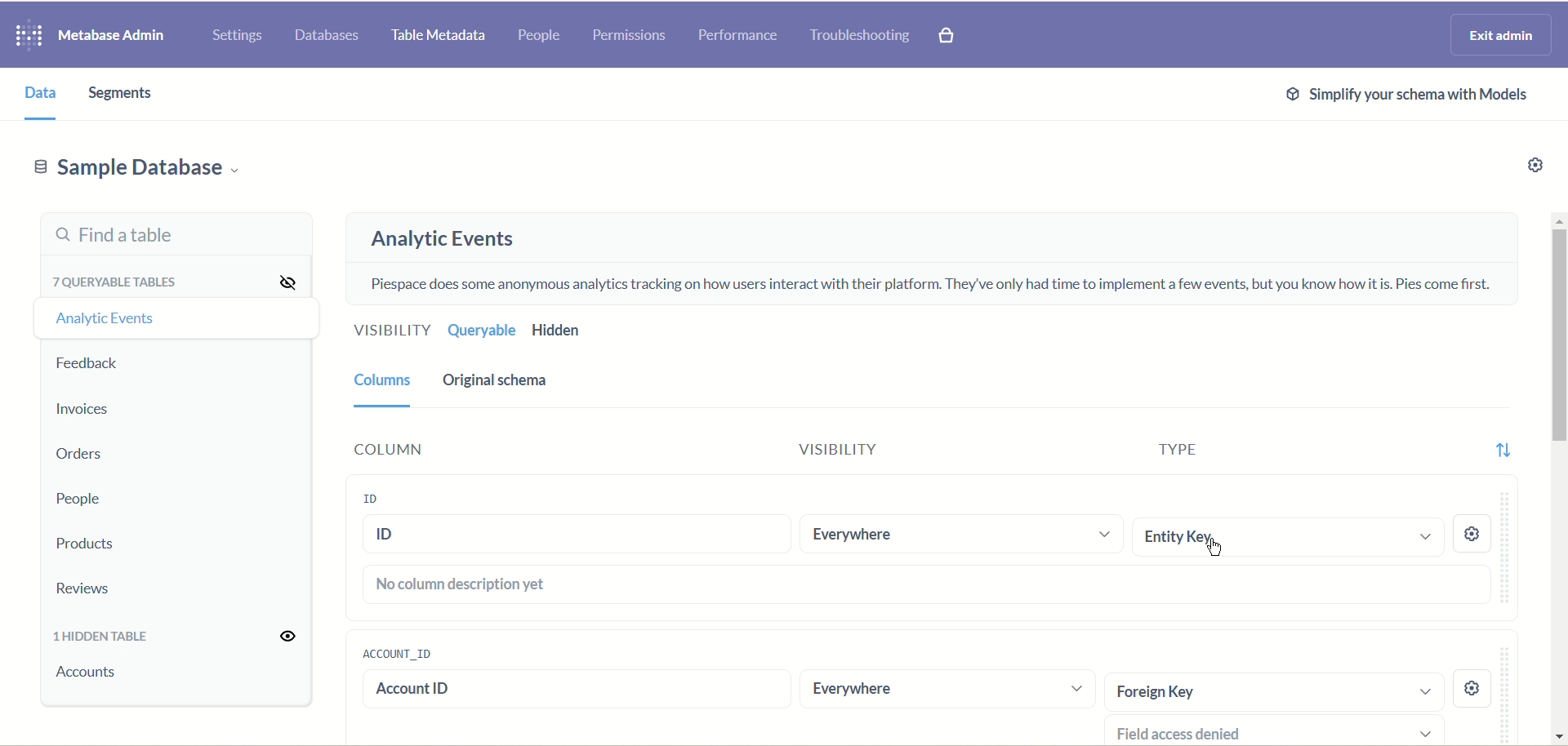 This screenshot has width=1568, height=746. I want to click on analytic events, so click(442, 239).